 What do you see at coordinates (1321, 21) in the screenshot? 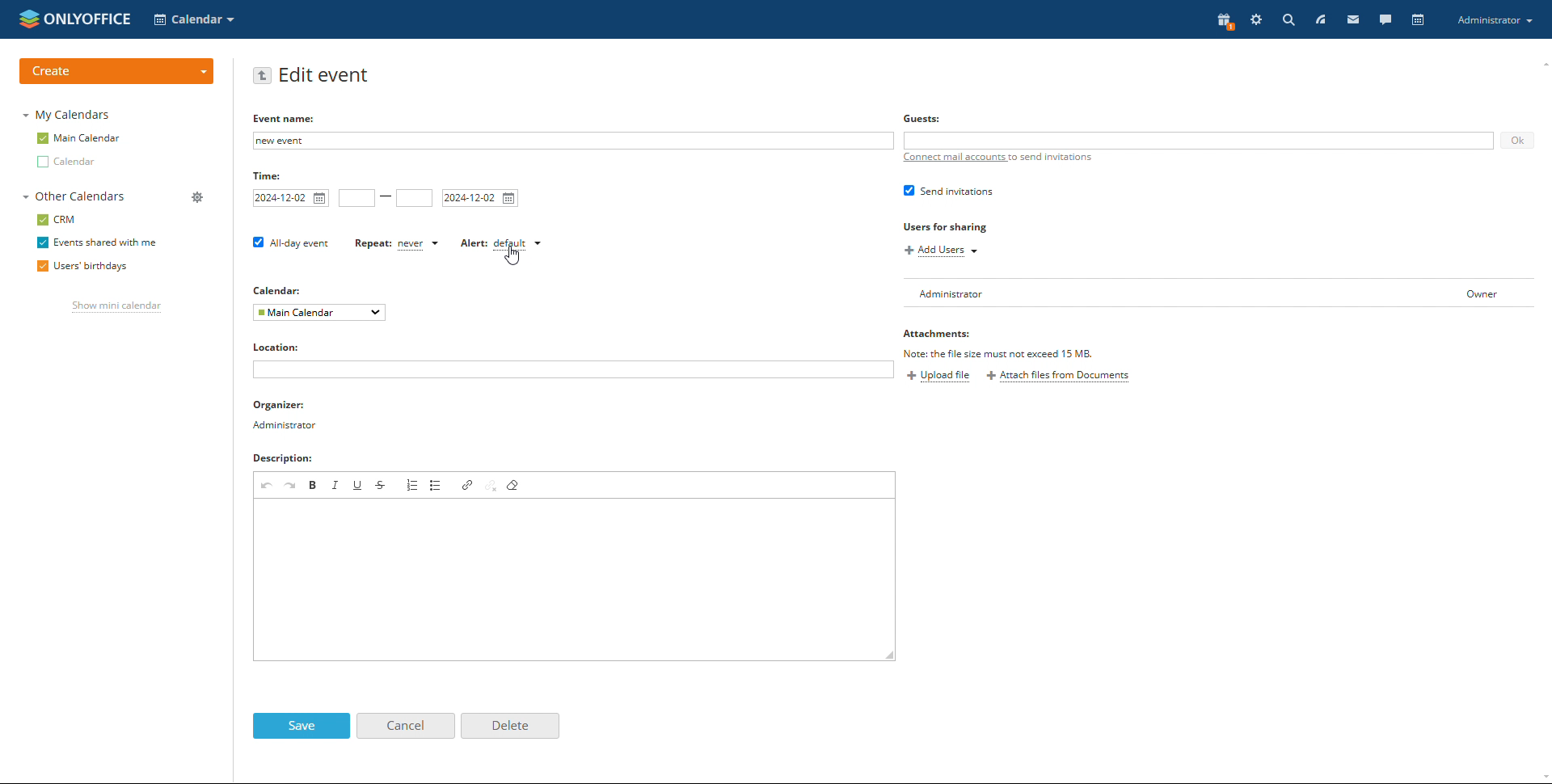
I see `feed` at bounding box center [1321, 21].